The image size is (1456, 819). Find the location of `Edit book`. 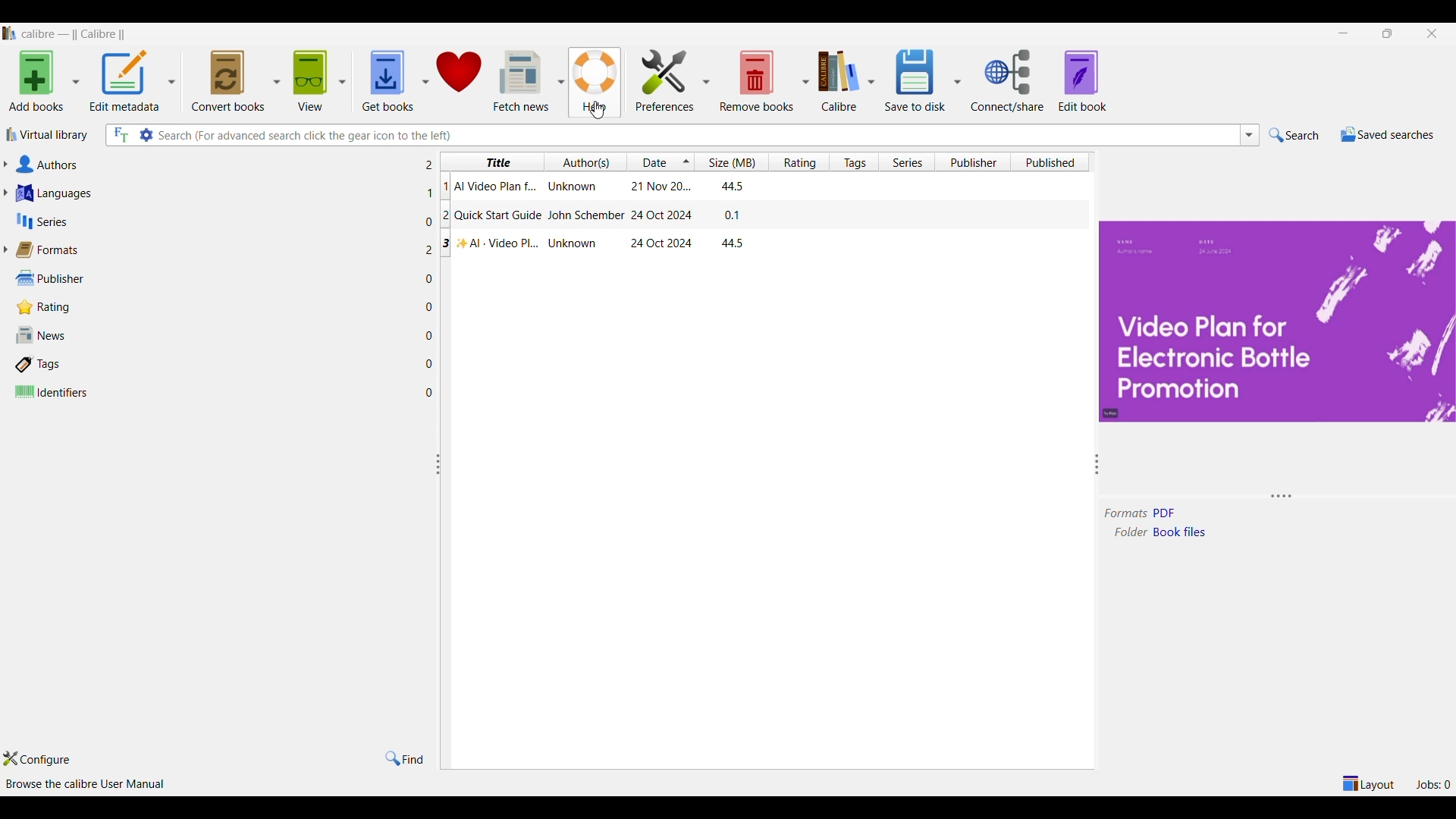

Edit book is located at coordinates (1083, 81).